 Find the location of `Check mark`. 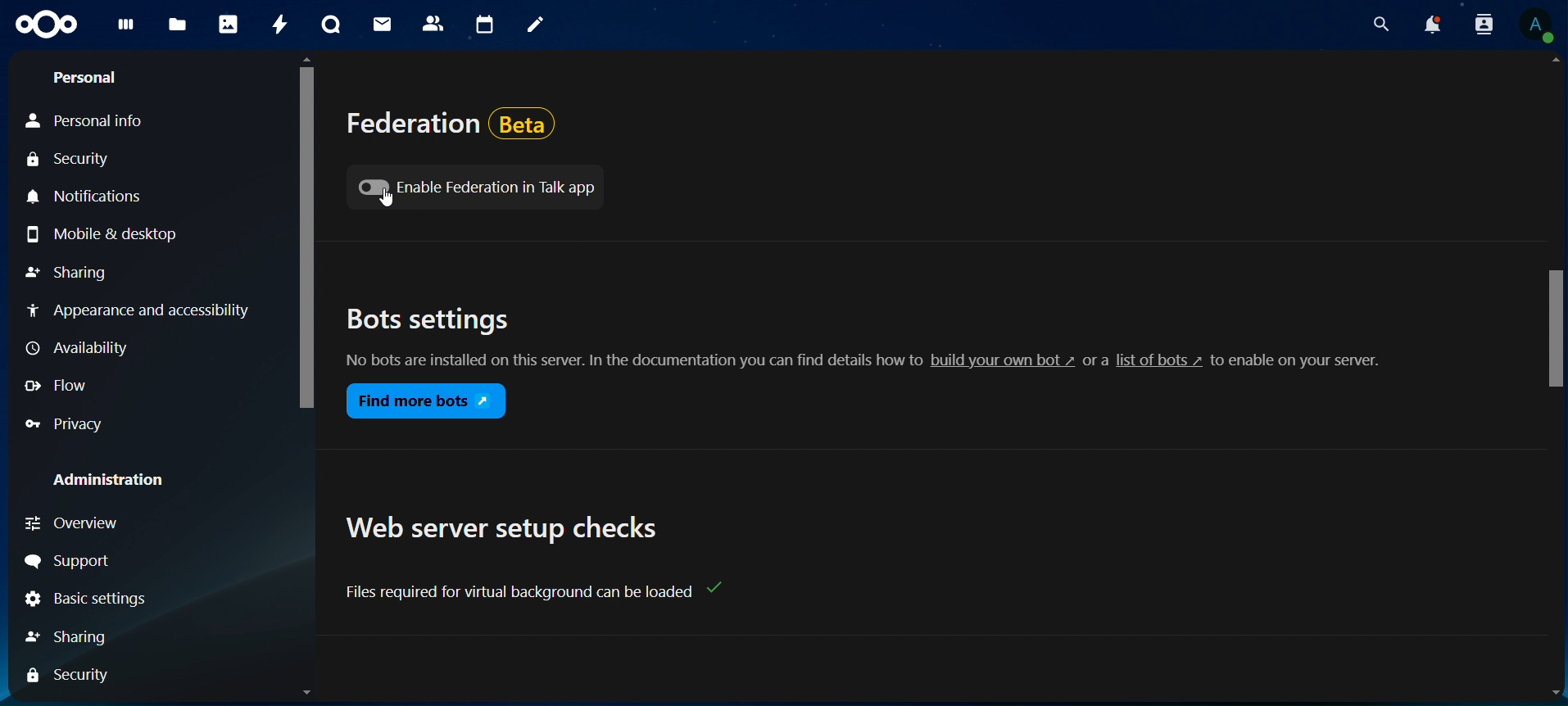

Check mark is located at coordinates (718, 587).